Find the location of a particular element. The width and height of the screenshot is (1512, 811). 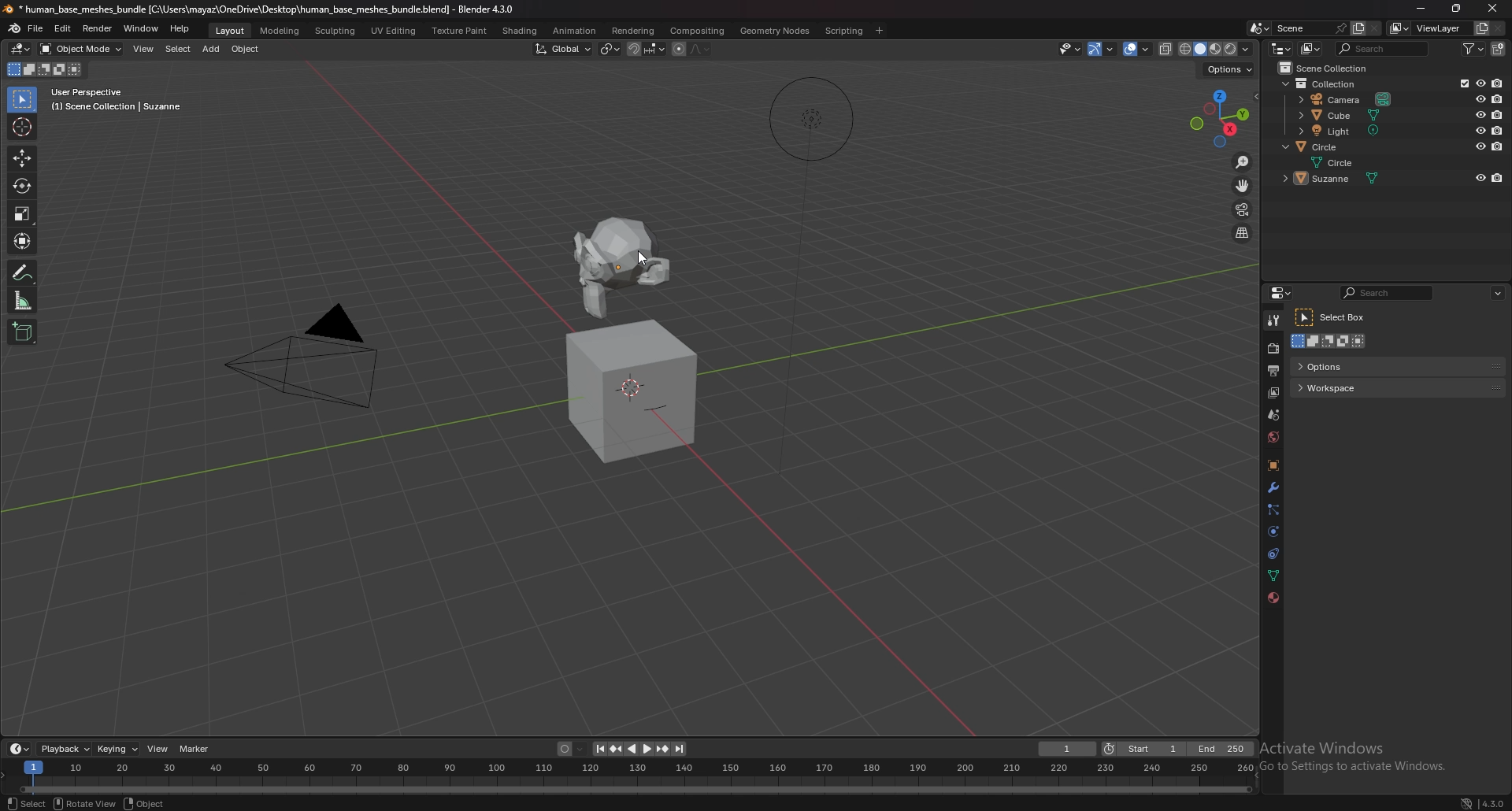

new collection is located at coordinates (1497, 49).